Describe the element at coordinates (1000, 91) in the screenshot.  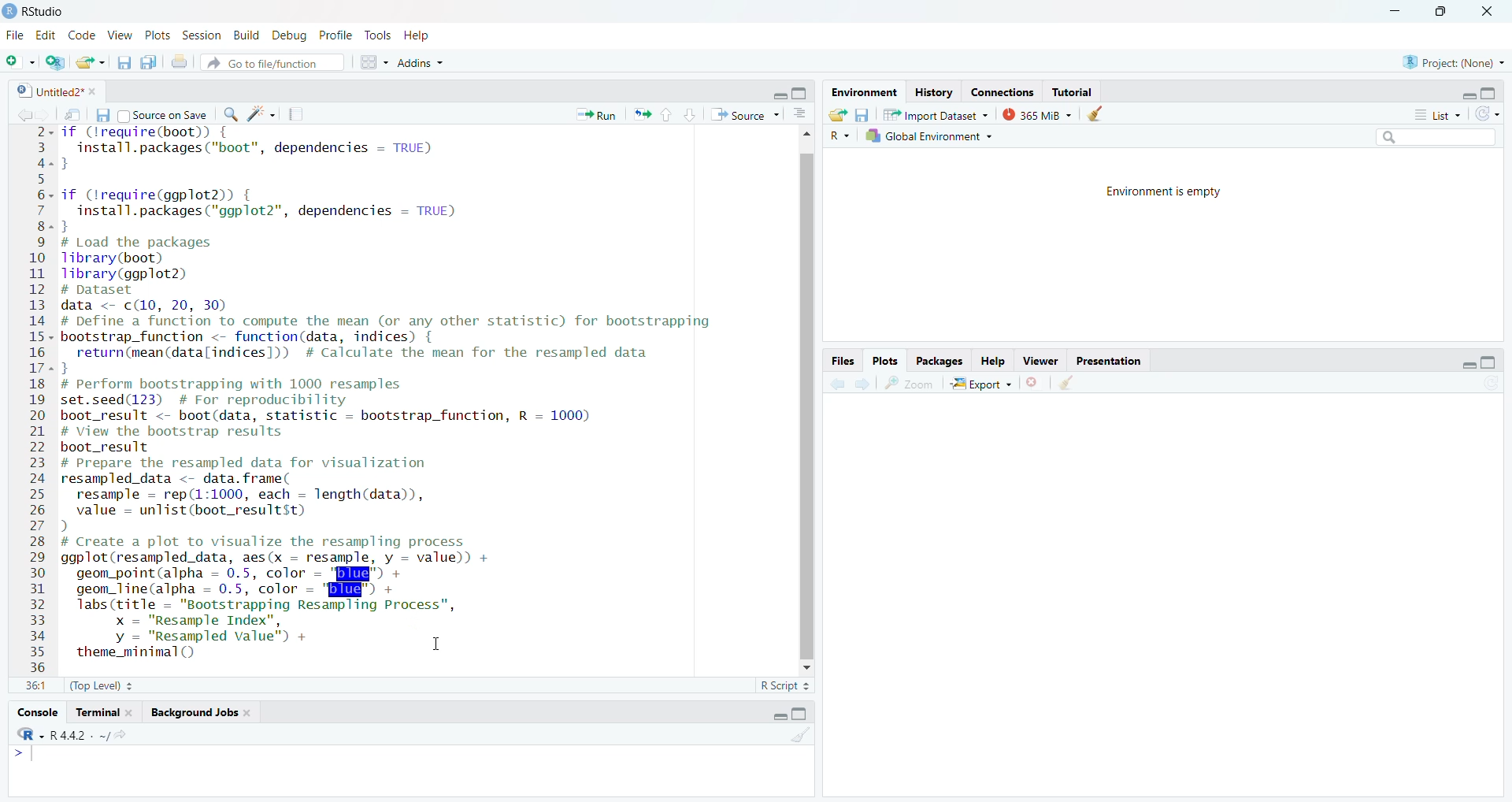
I see `connections` at that location.